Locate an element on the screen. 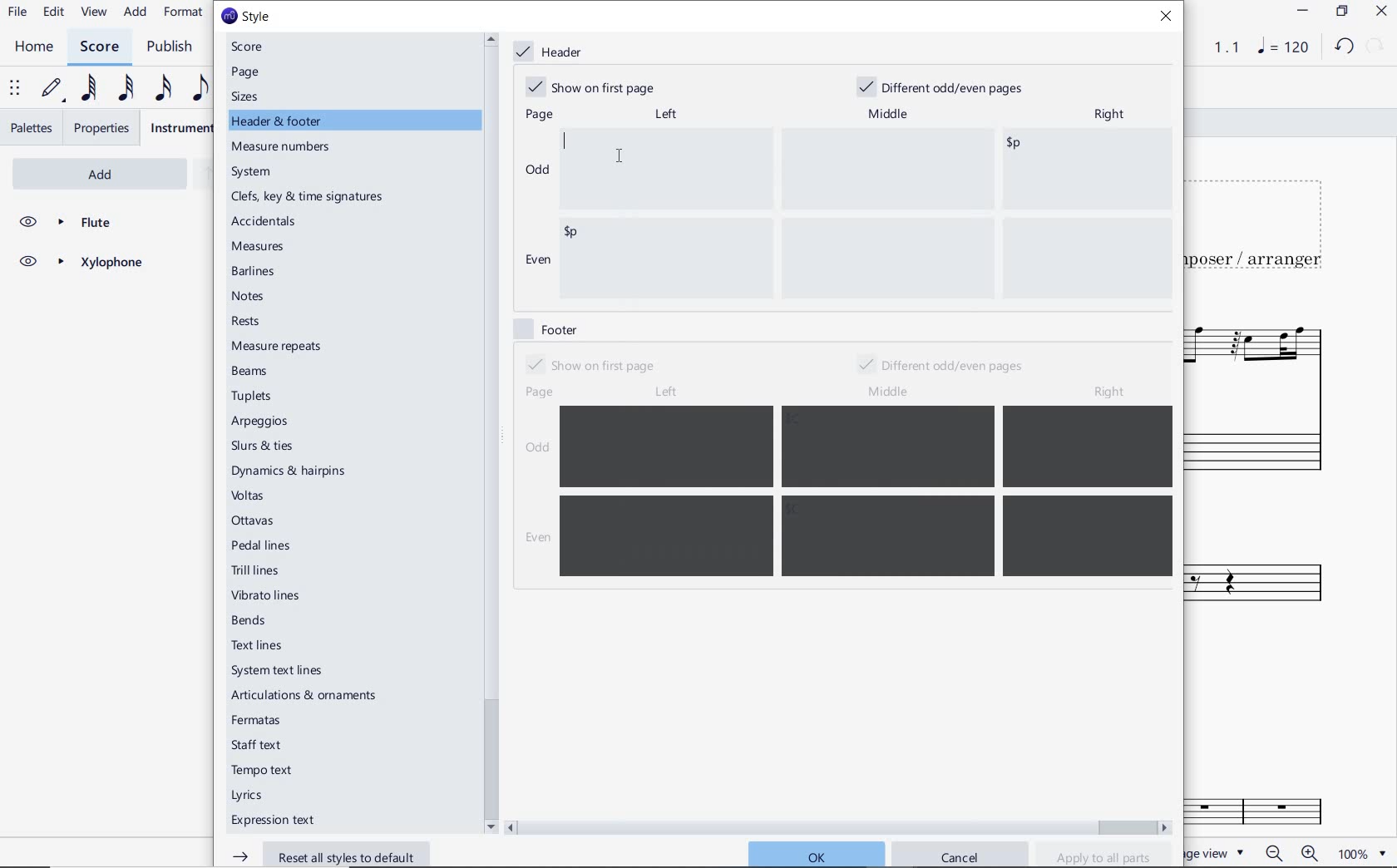  FORMAT is located at coordinates (184, 13).